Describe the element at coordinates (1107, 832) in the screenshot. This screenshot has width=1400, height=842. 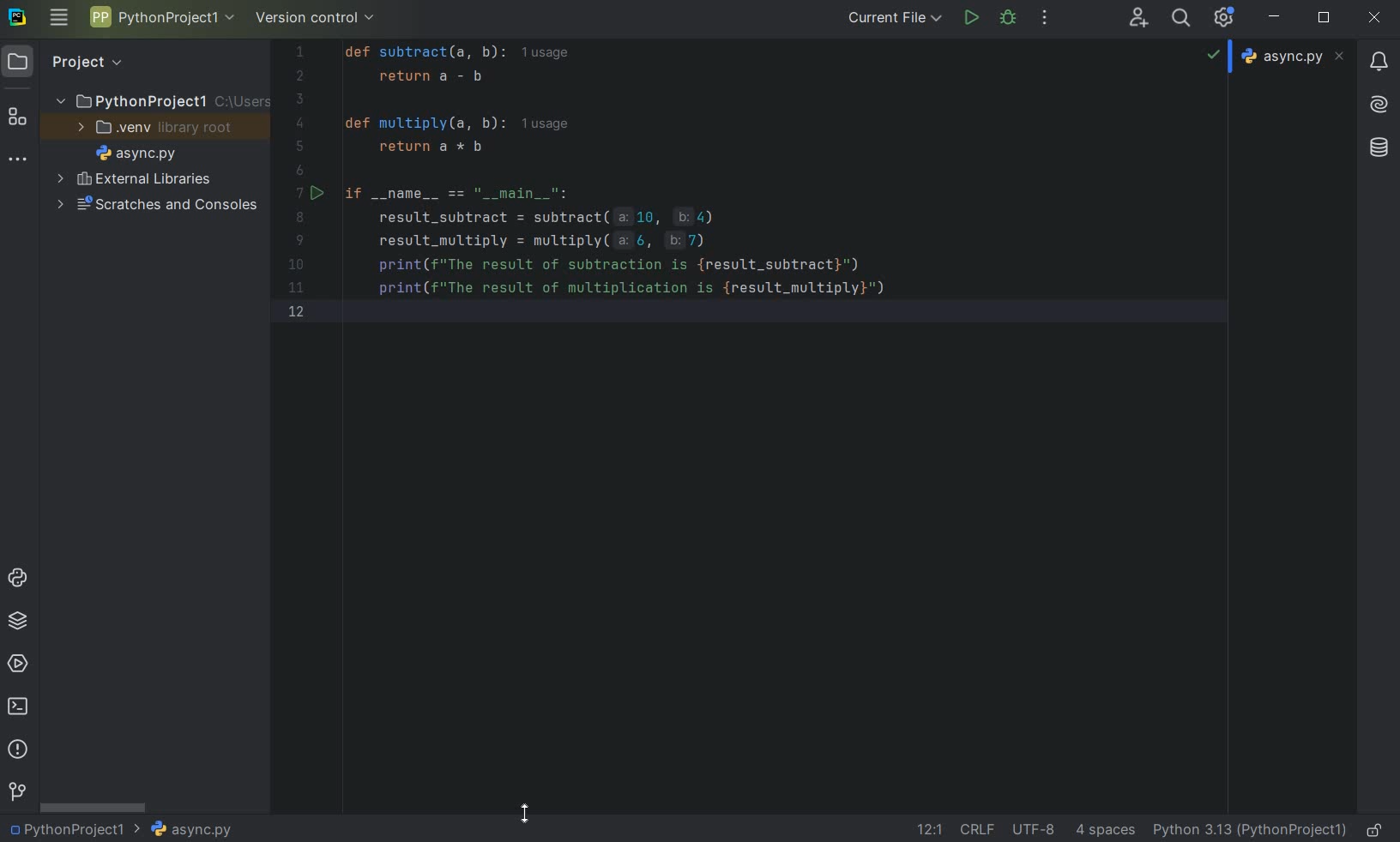
I see `indent` at that location.